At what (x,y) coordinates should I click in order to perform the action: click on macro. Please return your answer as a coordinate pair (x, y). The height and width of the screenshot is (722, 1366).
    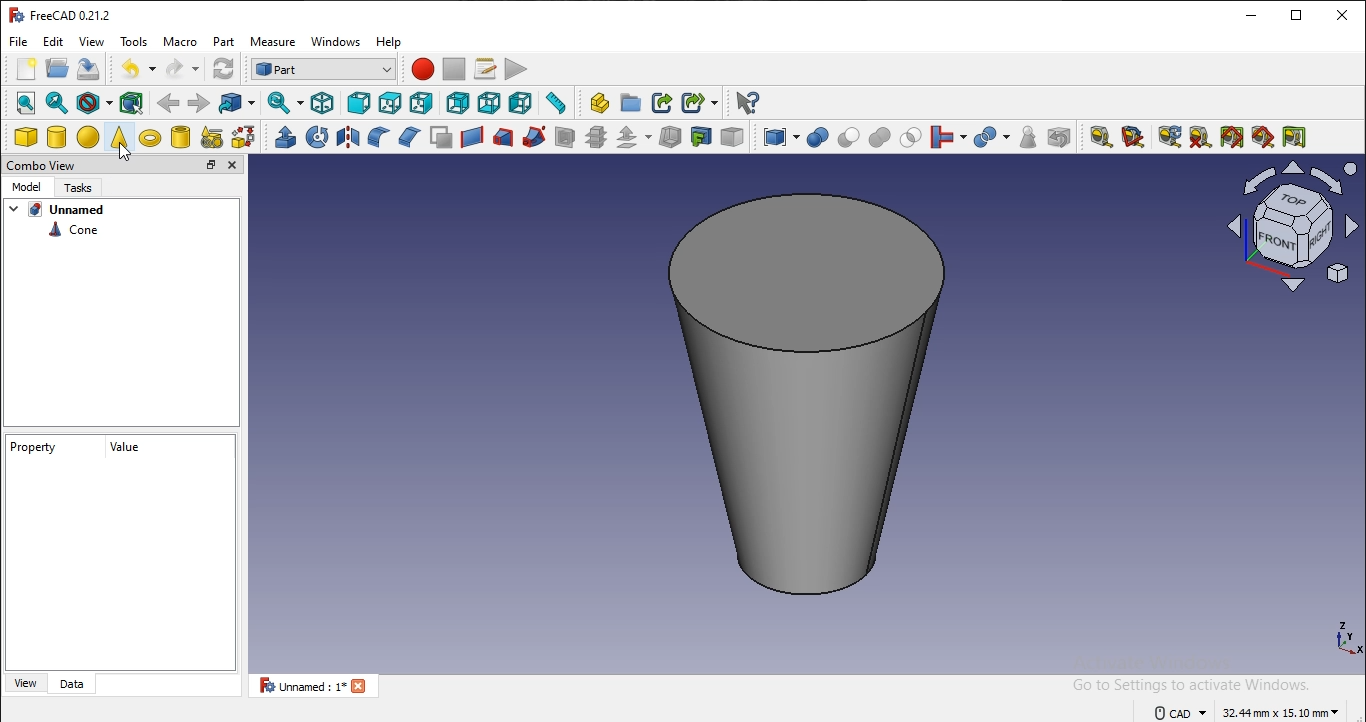
    Looking at the image, I should click on (182, 41).